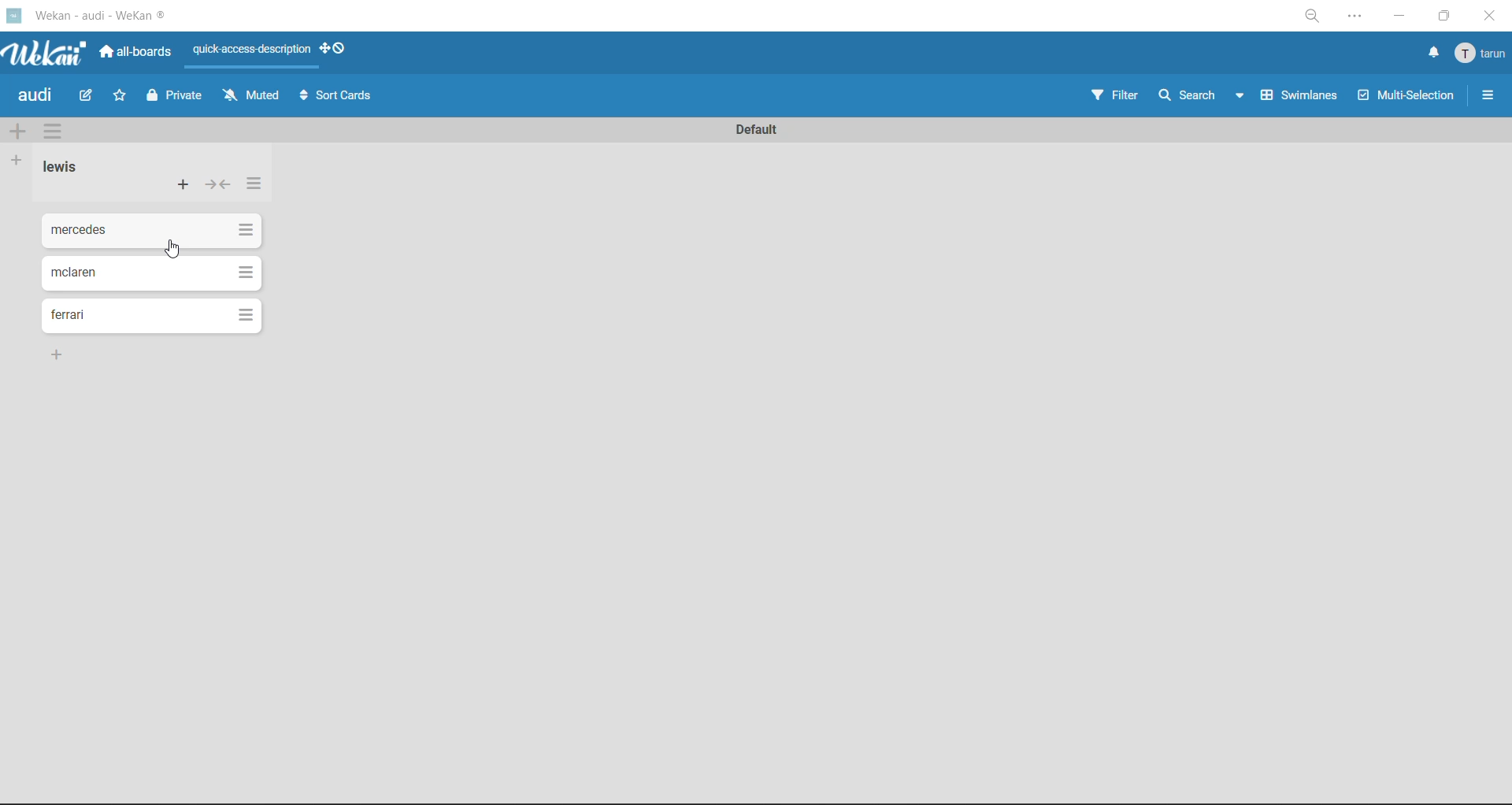  Describe the element at coordinates (150, 273) in the screenshot. I see `cards` at that location.